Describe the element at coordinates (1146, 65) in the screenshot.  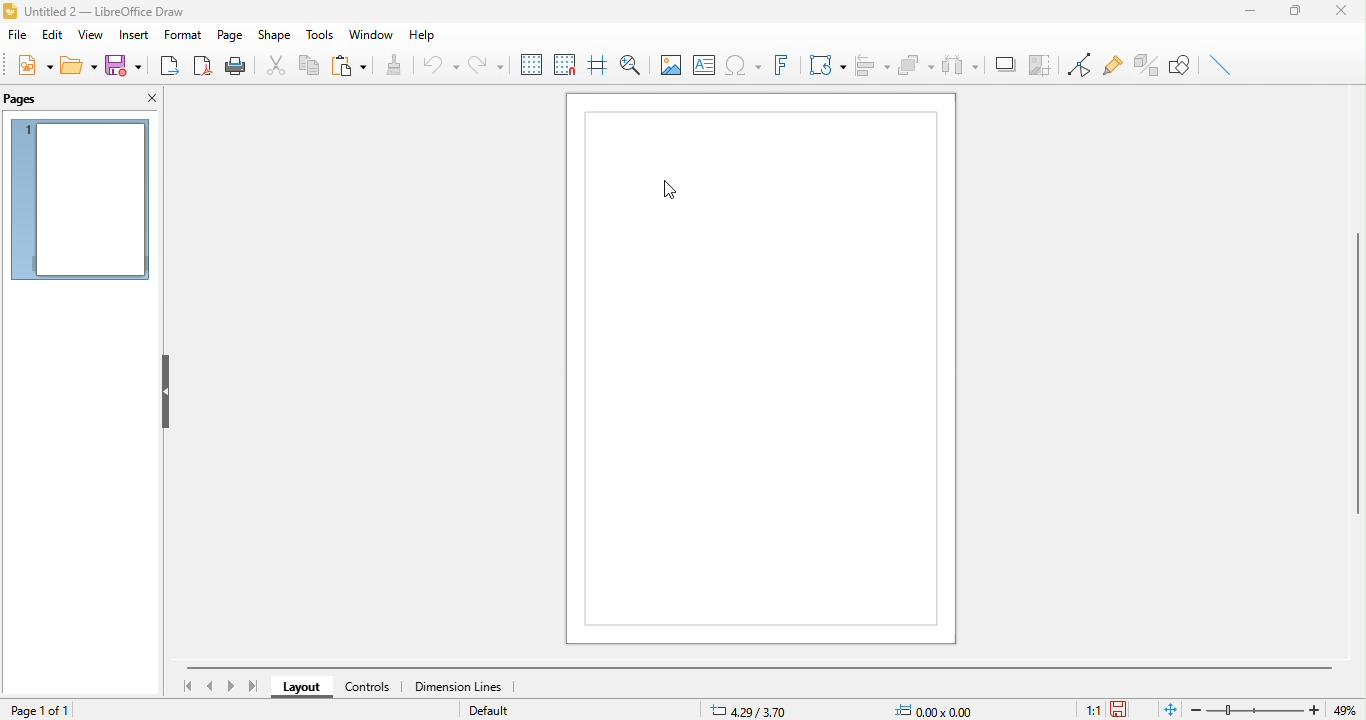
I see `toggle extrusion` at that location.